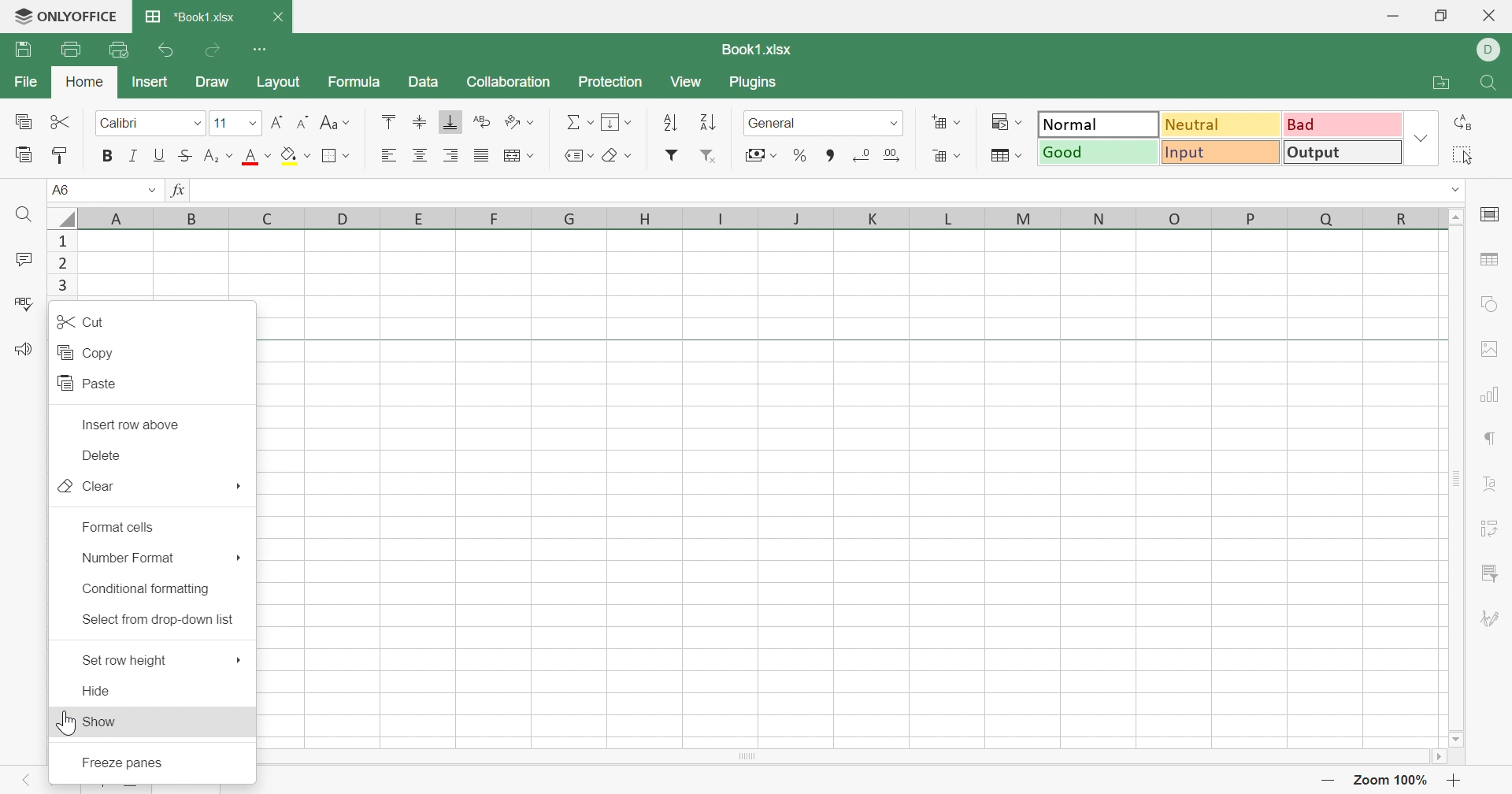  What do you see at coordinates (446, 123) in the screenshot?
I see `Align Bottom` at bounding box center [446, 123].